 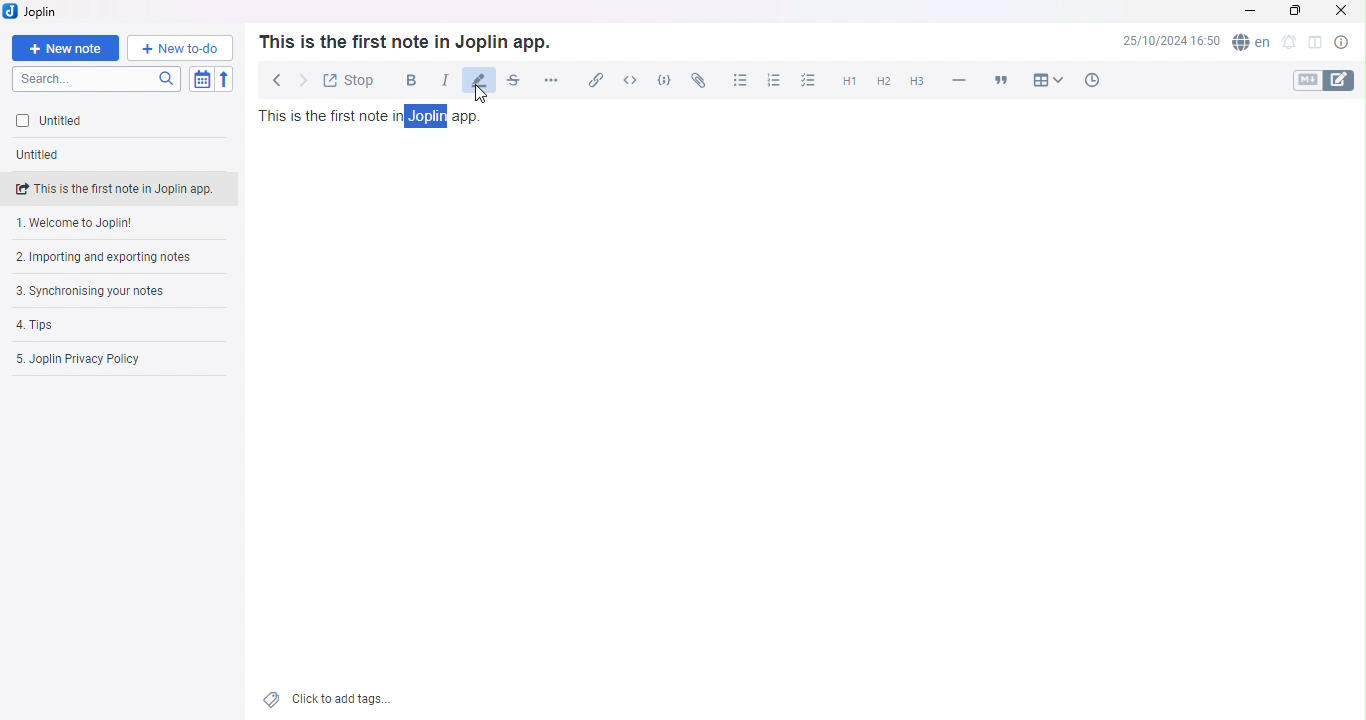 I want to click on Set ab alarm, so click(x=1288, y=44).